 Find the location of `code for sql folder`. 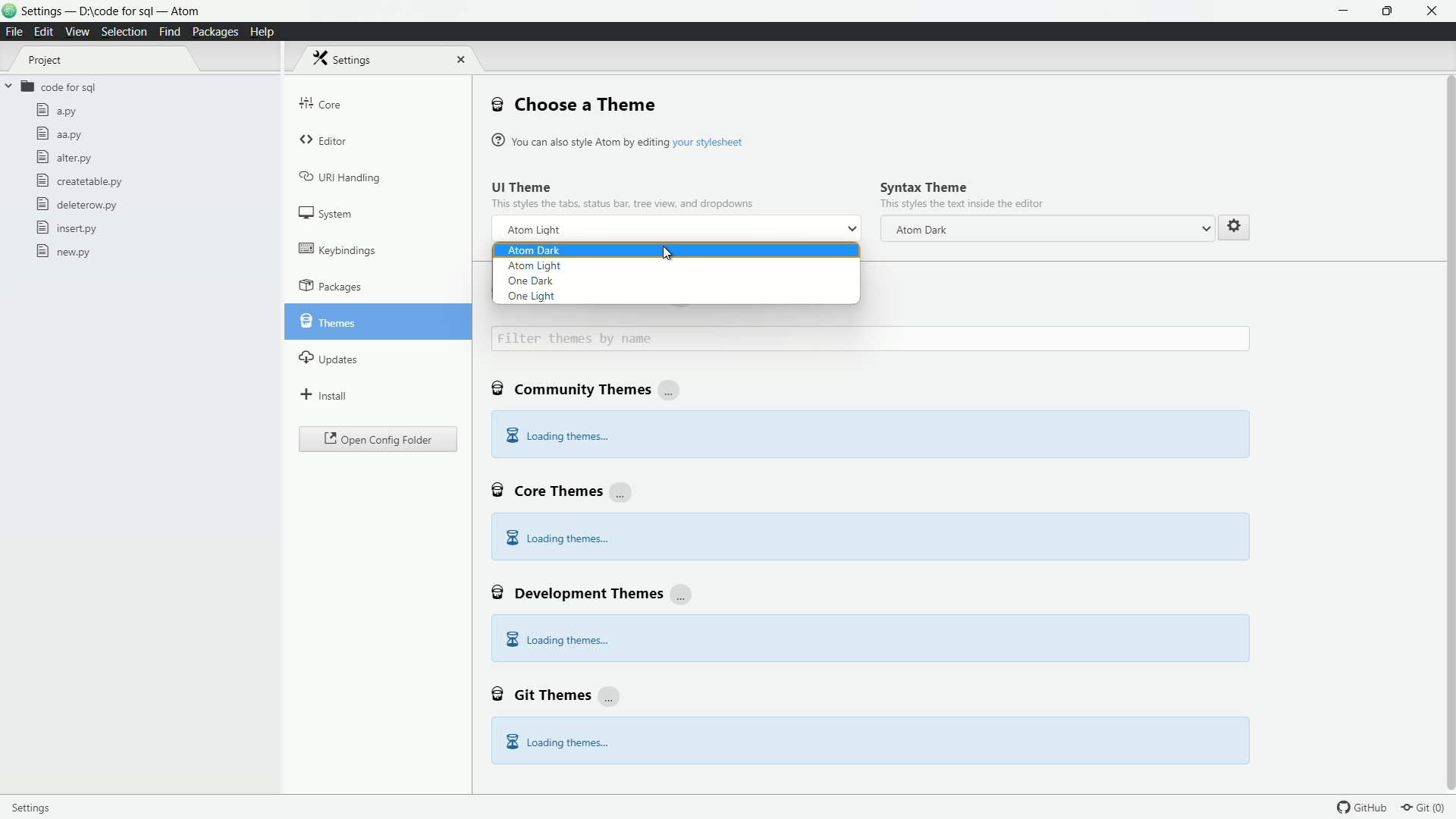

code for sql folder is located at coordinates (50, 87).